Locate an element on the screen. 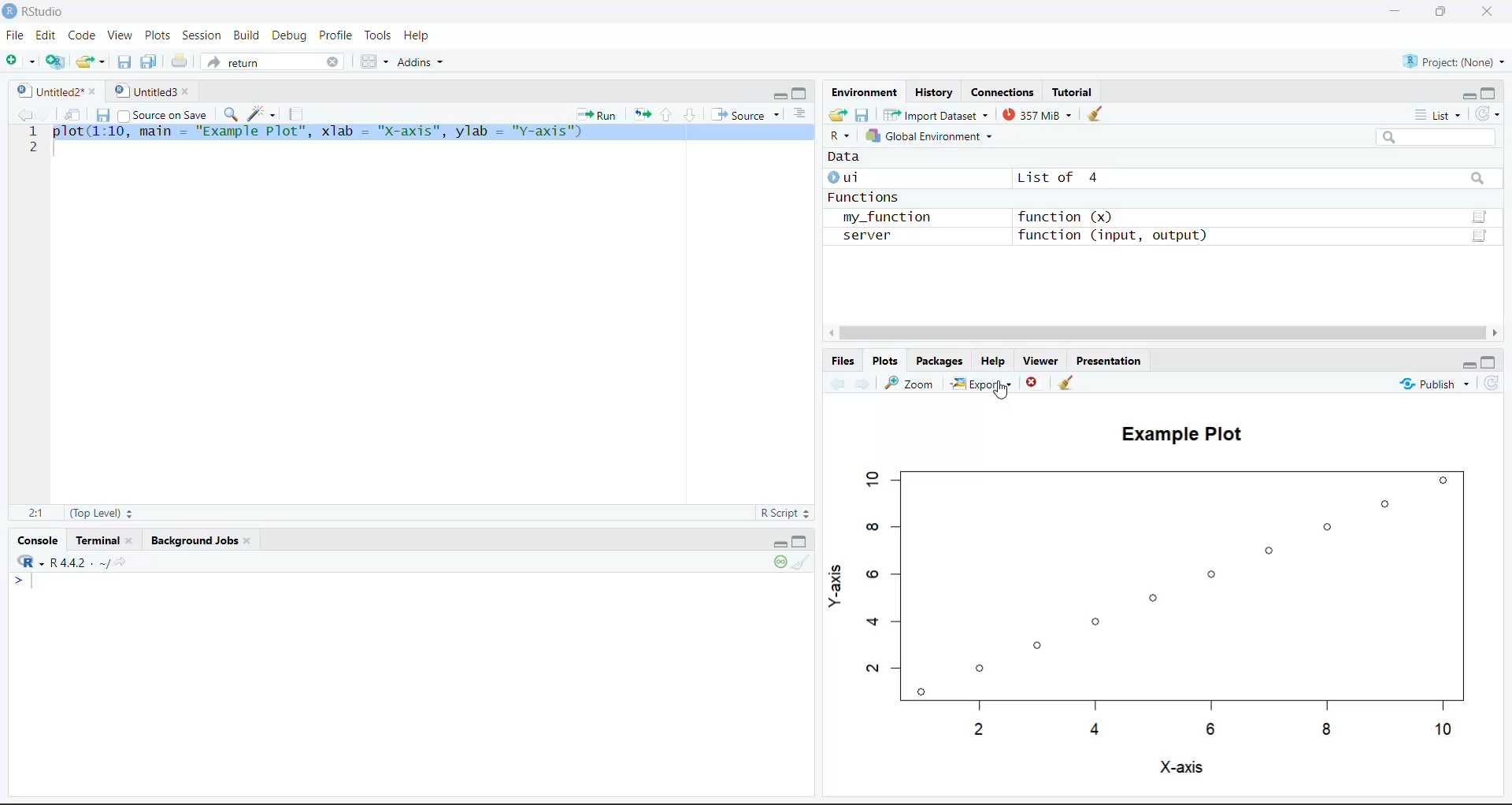 The width and height of the screenshot is (1512, 805). Prompt cursor is located at coordinates (17, 581).